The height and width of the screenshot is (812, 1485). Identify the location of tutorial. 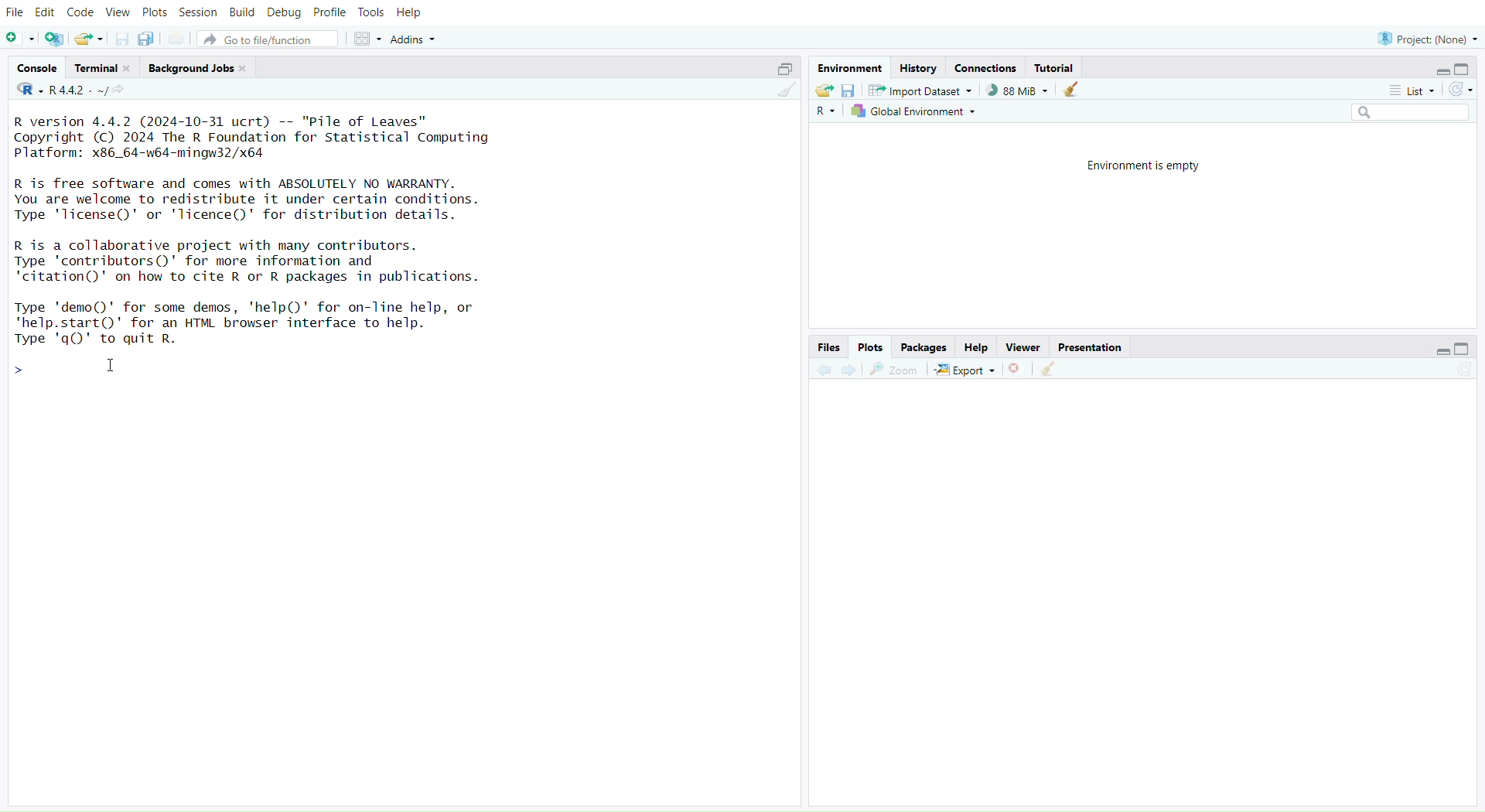
(1056, 69).